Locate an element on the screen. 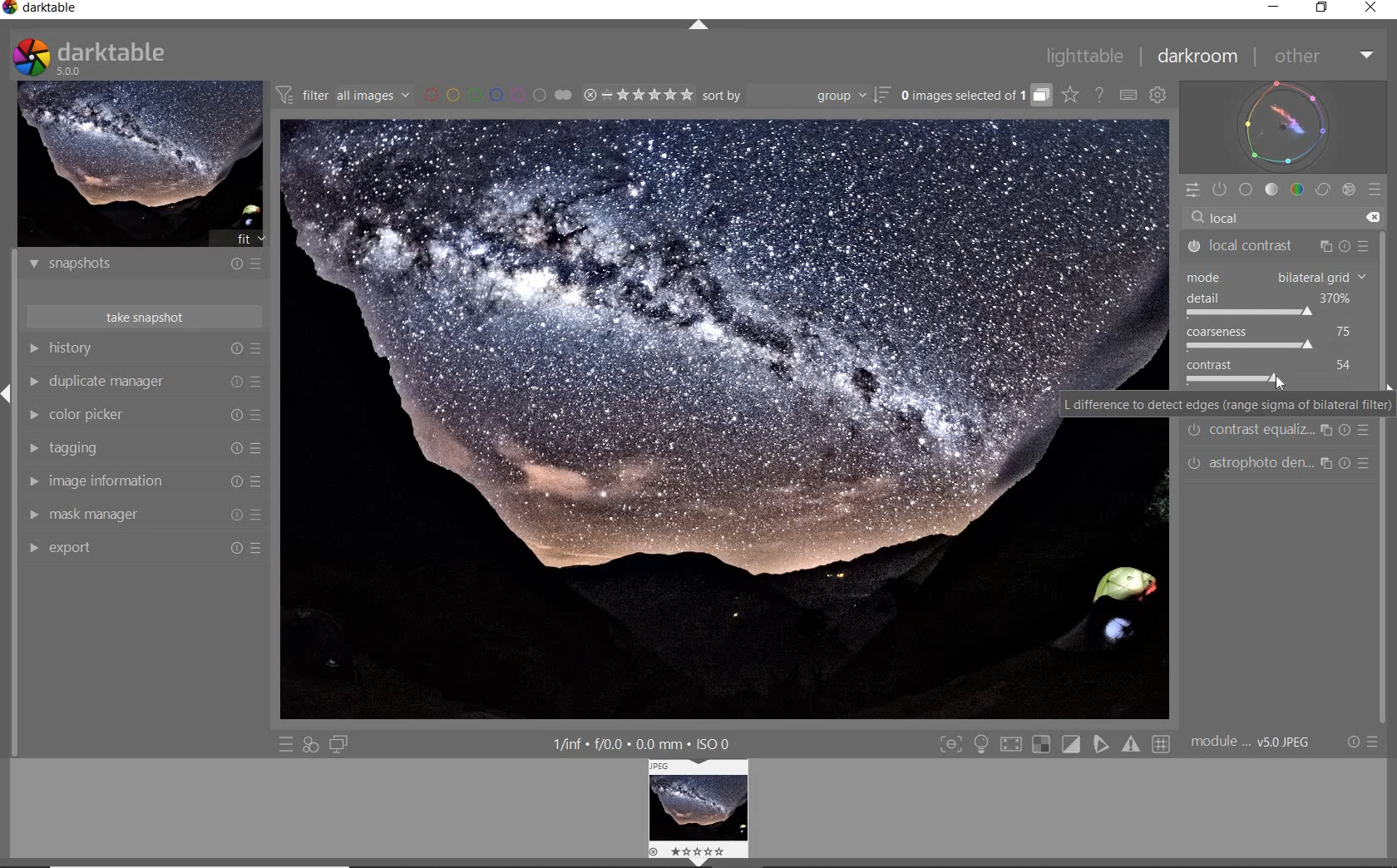  color picker is located at coordinates (96, 414).